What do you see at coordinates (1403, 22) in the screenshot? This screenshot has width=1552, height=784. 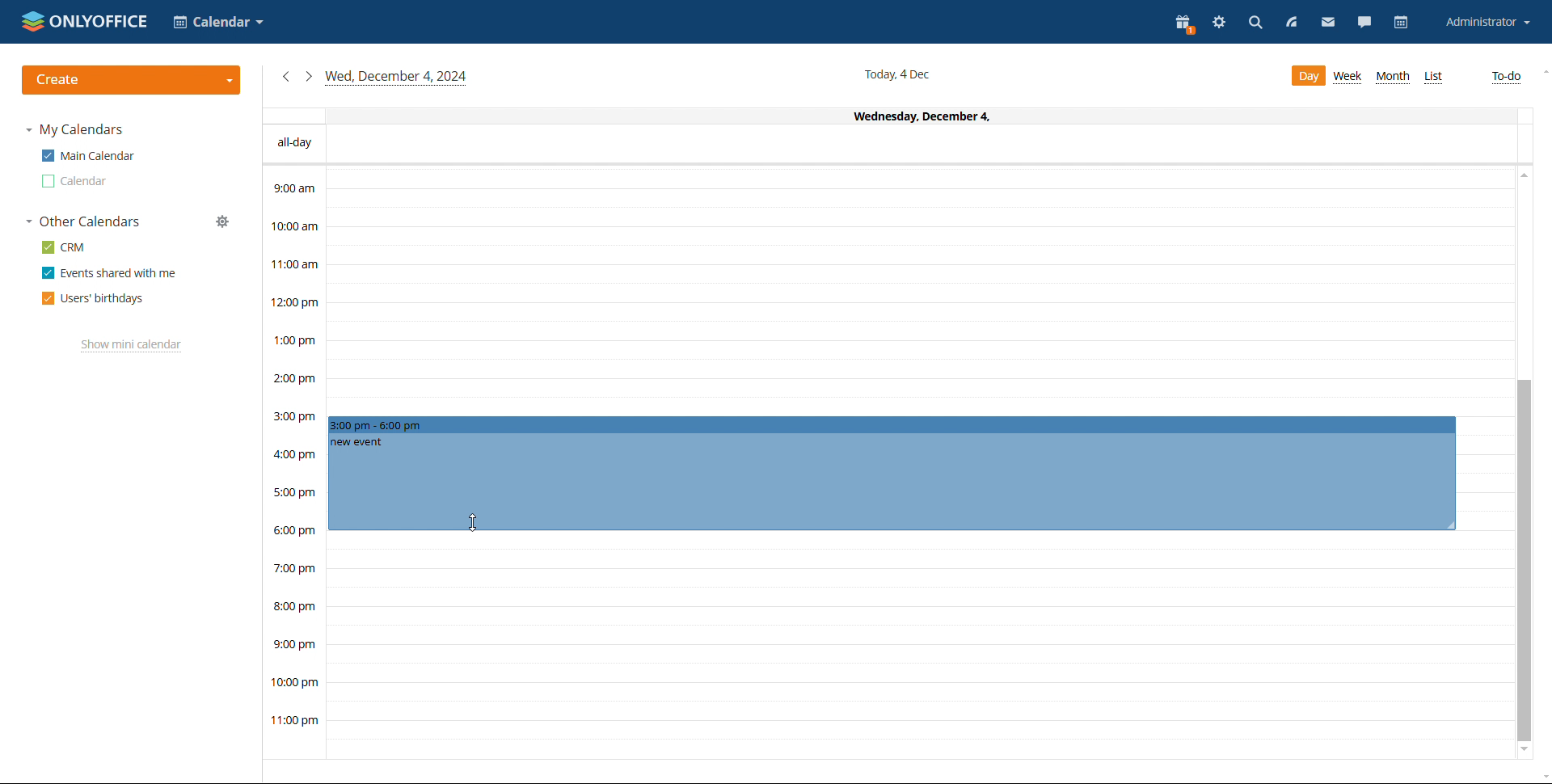 I see `calendar` at bounding box center [1403, 22].